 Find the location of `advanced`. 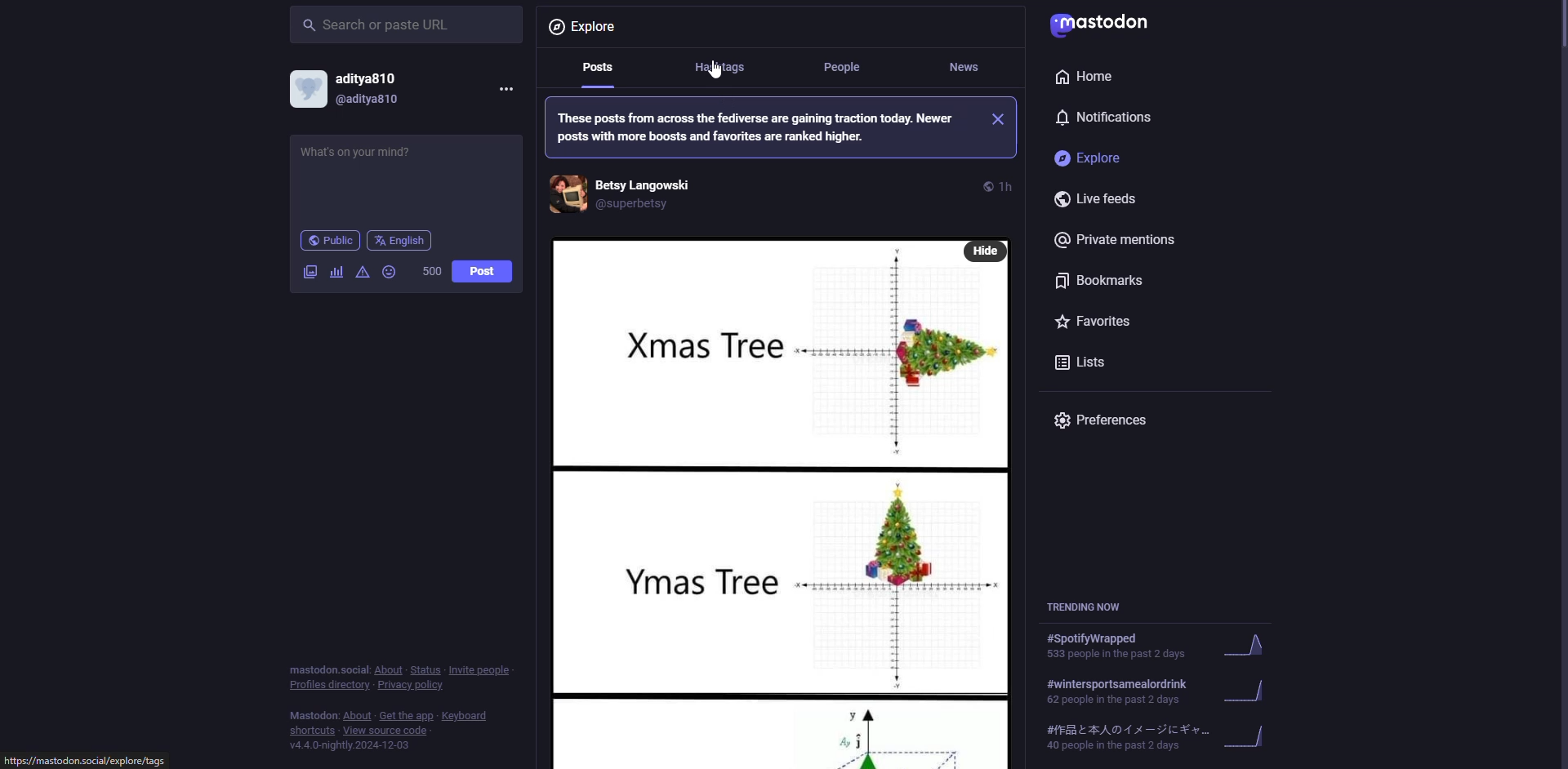

advanced is located at coordinates (363, 272).